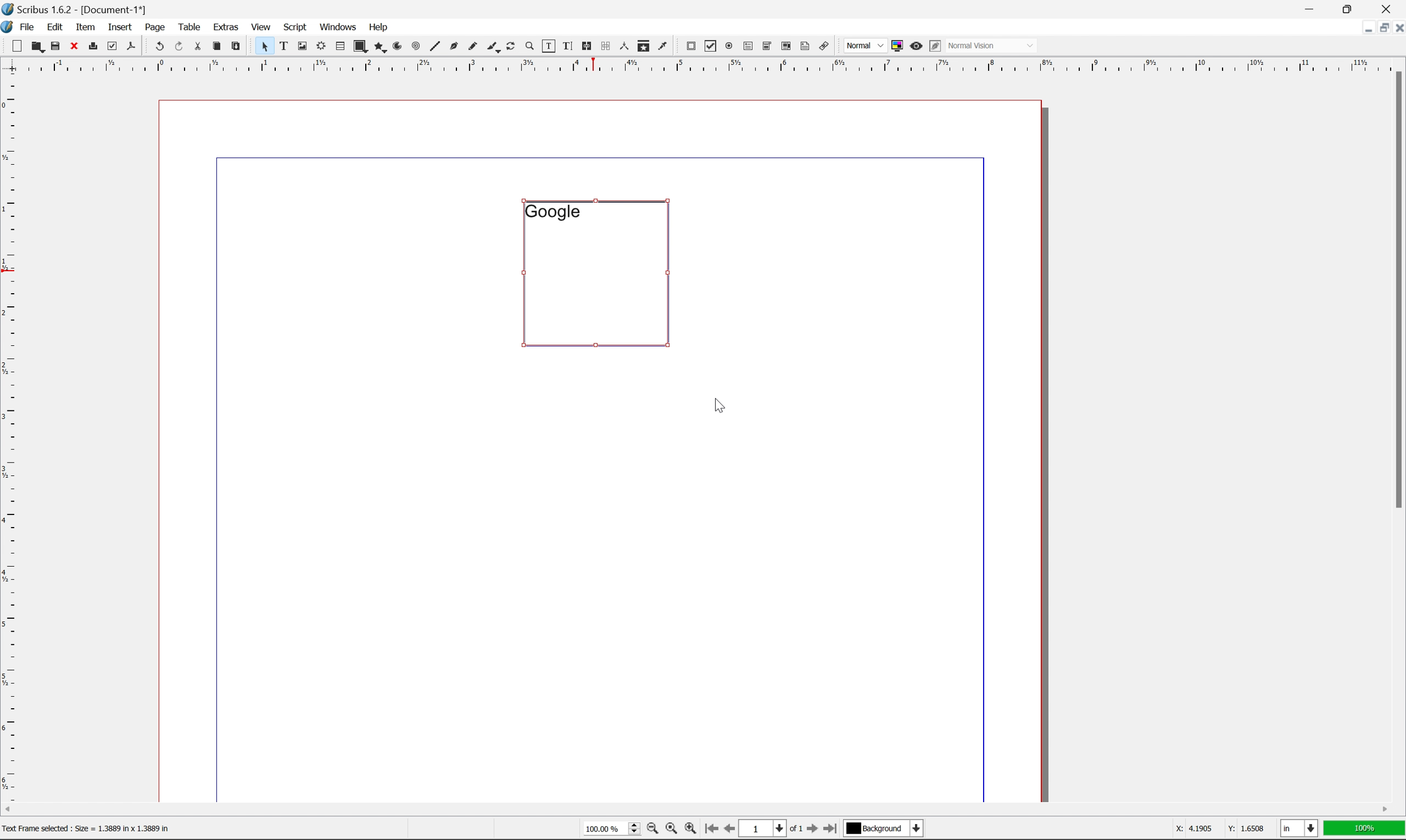 The width and height of the screenshot is (1406, 840). Describe the element at coordinates (670, 830) in the screenshot. I see `zoom to 100%` at that location.